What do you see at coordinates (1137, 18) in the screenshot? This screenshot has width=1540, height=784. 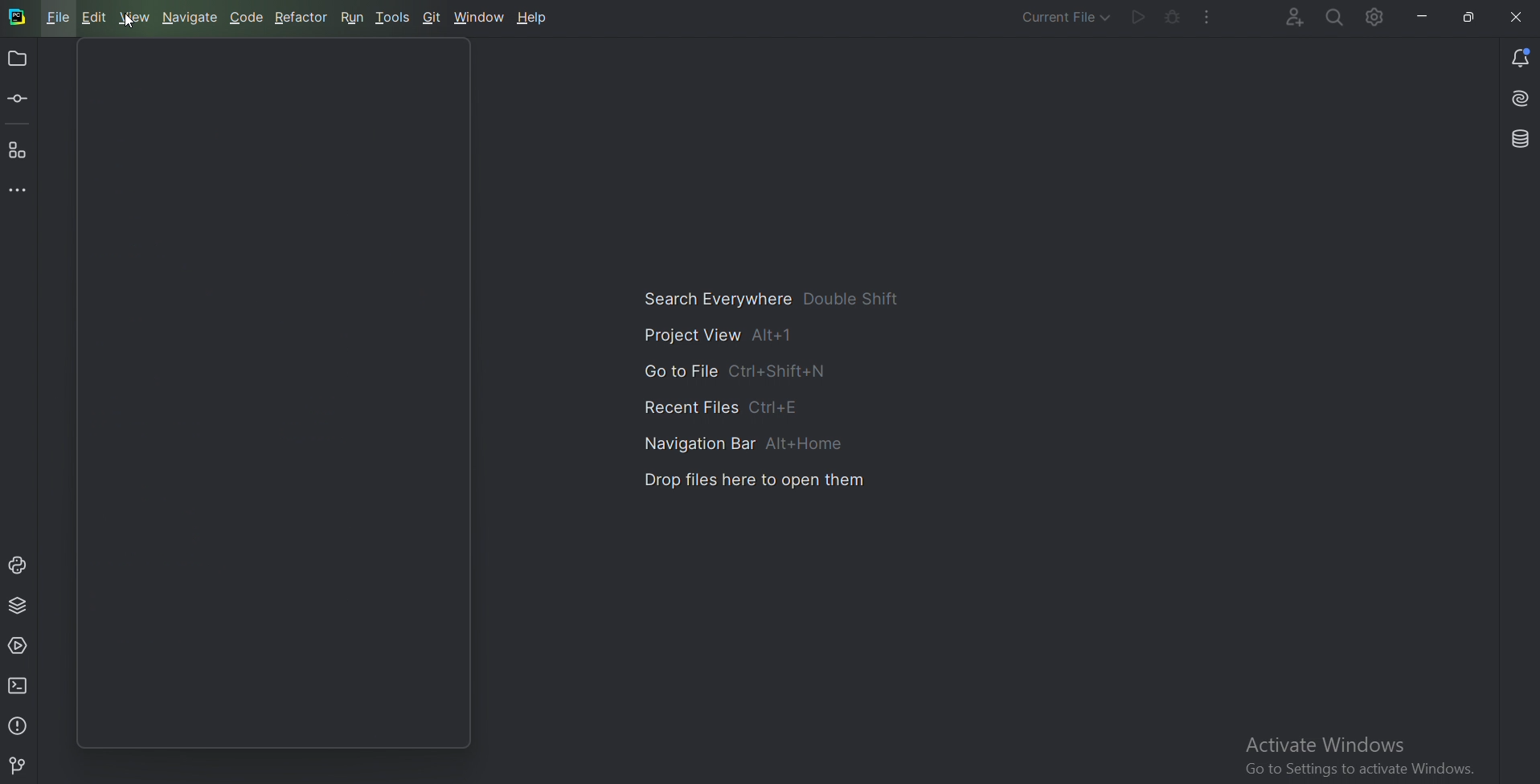 I see `Run` at bounding box center [1137, 18].